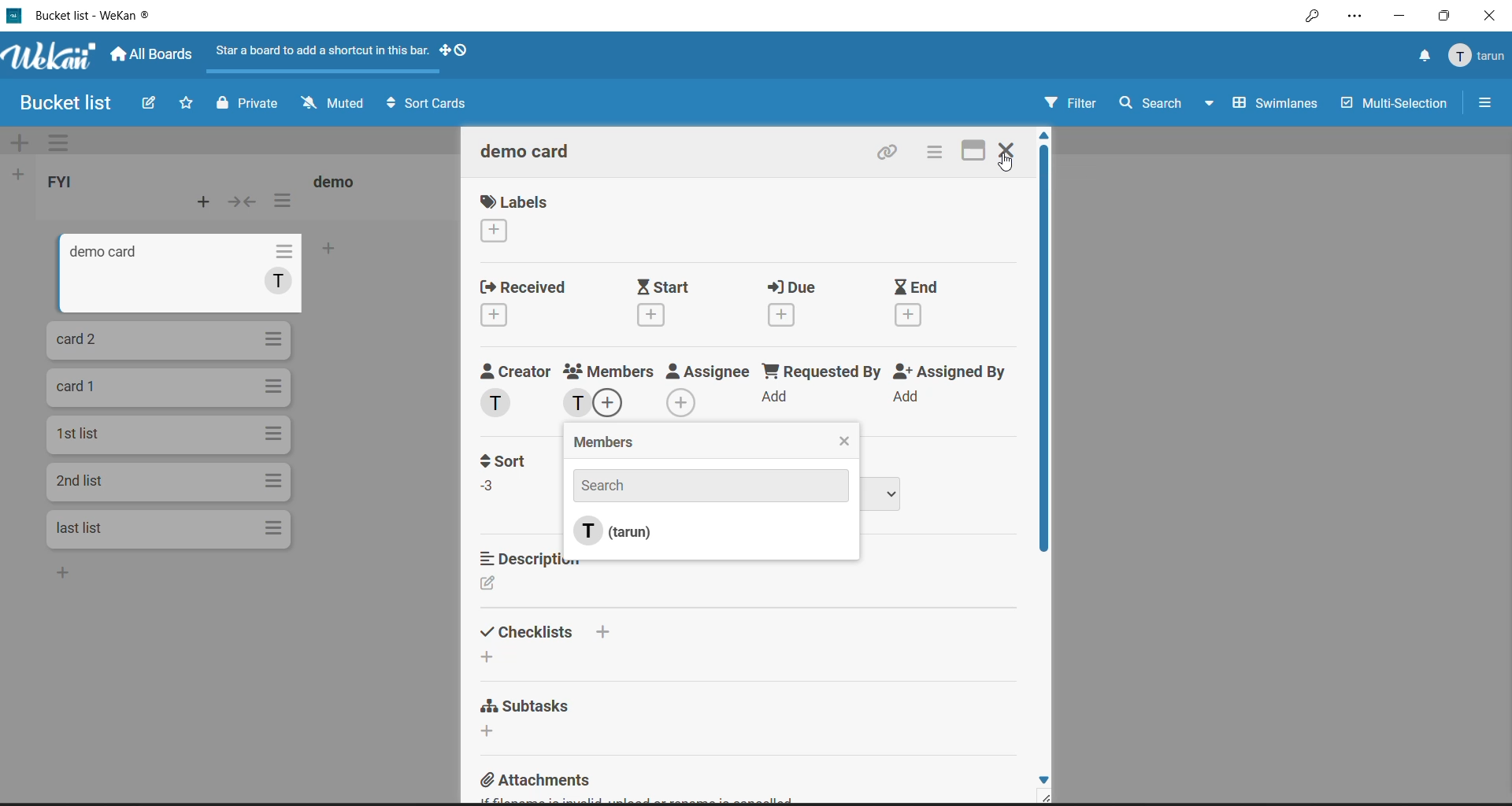  Describe the element at coordinates (554, 632) in the screenshot. I see `checklists` at that location.